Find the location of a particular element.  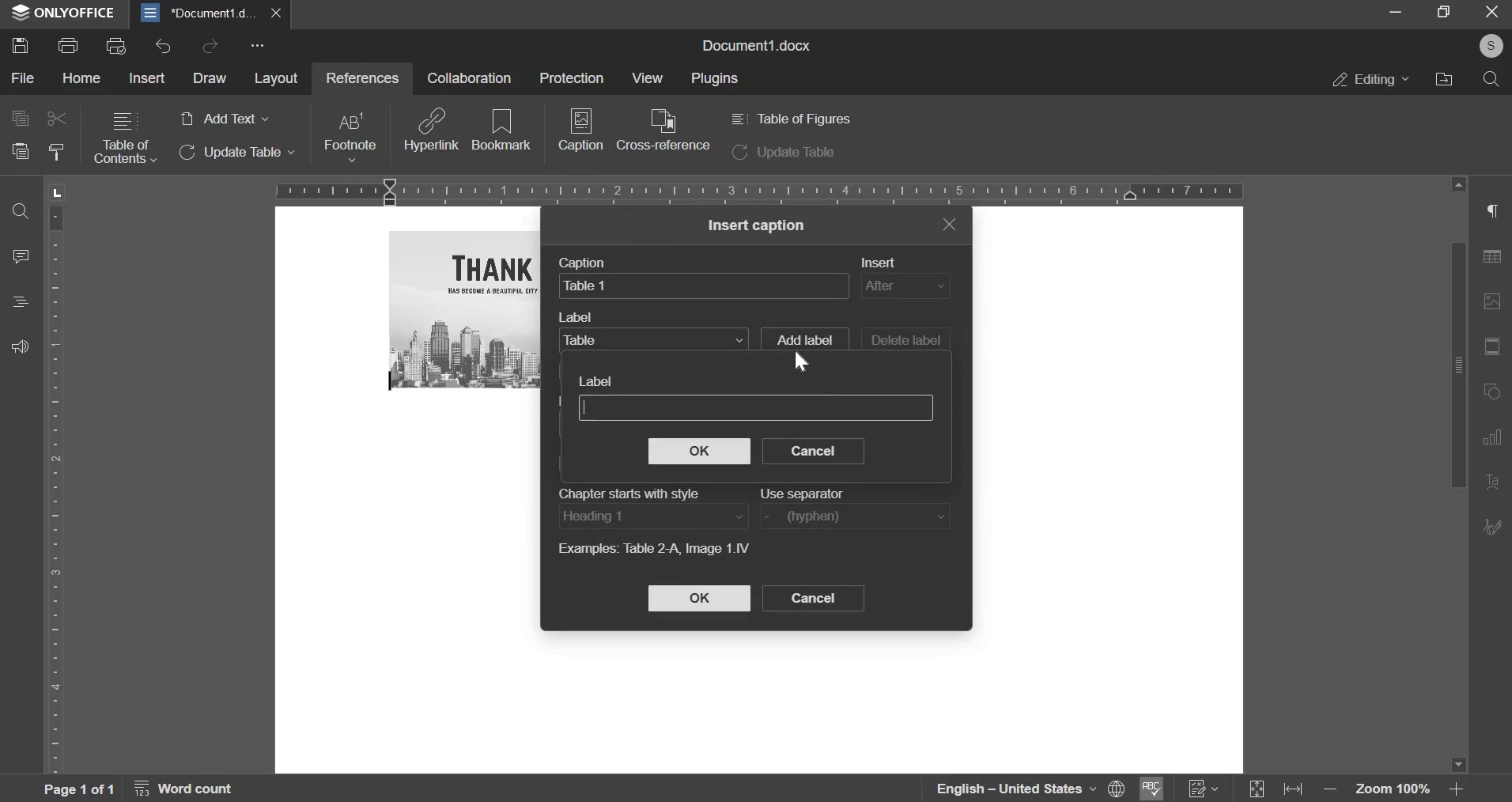

print is located at coordinates (68, 44).